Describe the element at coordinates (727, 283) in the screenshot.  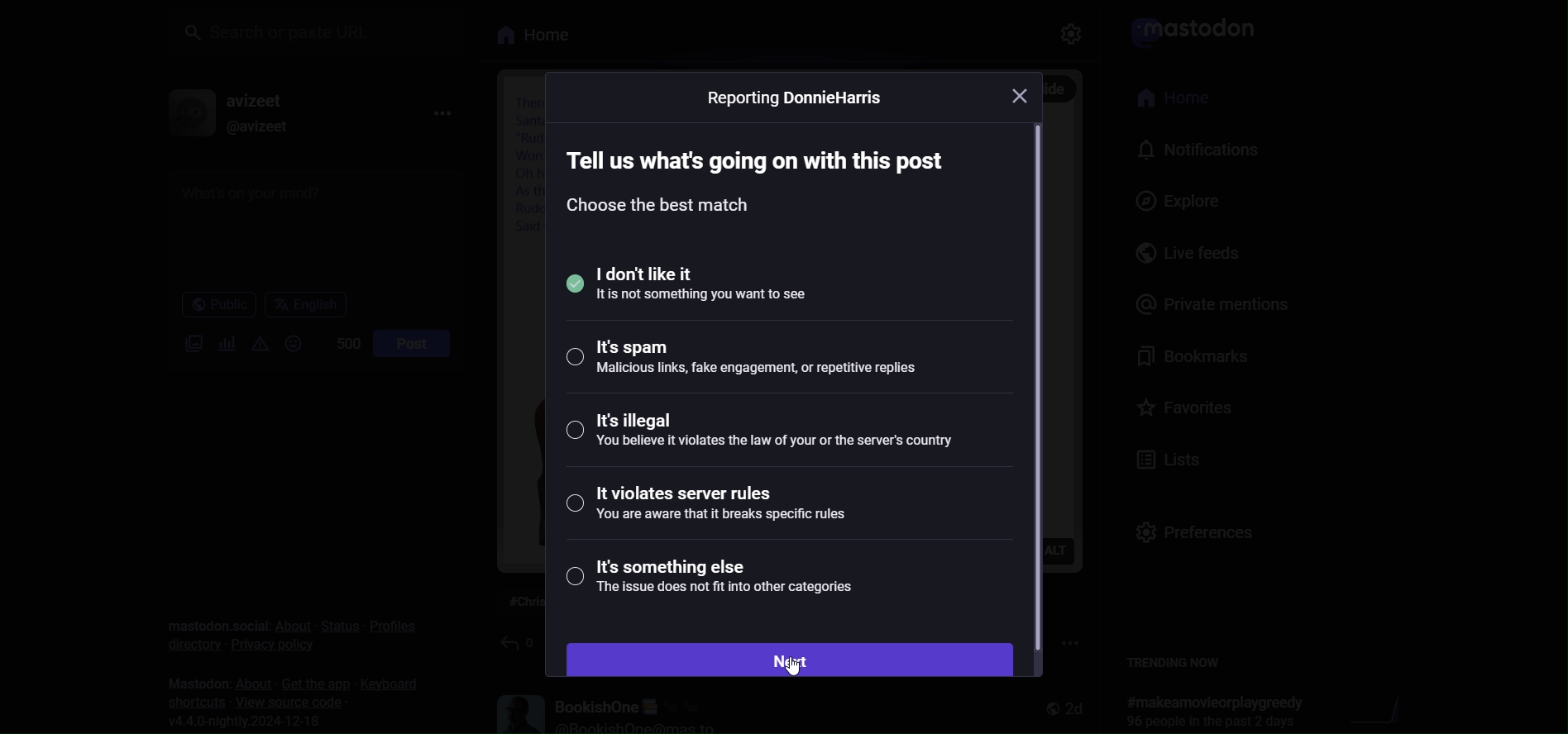
I see `I don't like it
Cy Itis not something you want to see` at that location.